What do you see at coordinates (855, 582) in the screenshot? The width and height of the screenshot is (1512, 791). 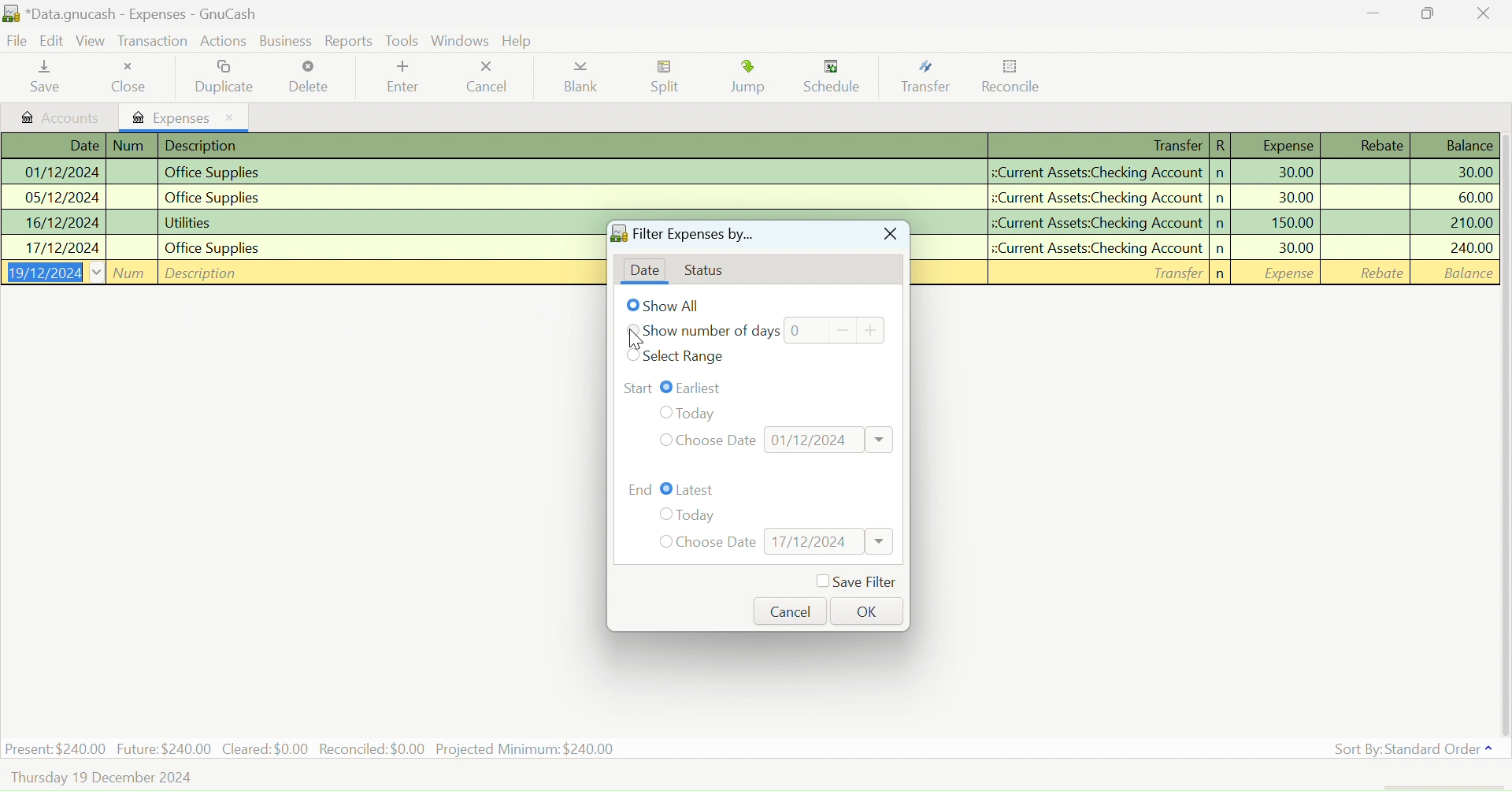 I see `Save Filter Checkbox` at bounding box center [855, 582].